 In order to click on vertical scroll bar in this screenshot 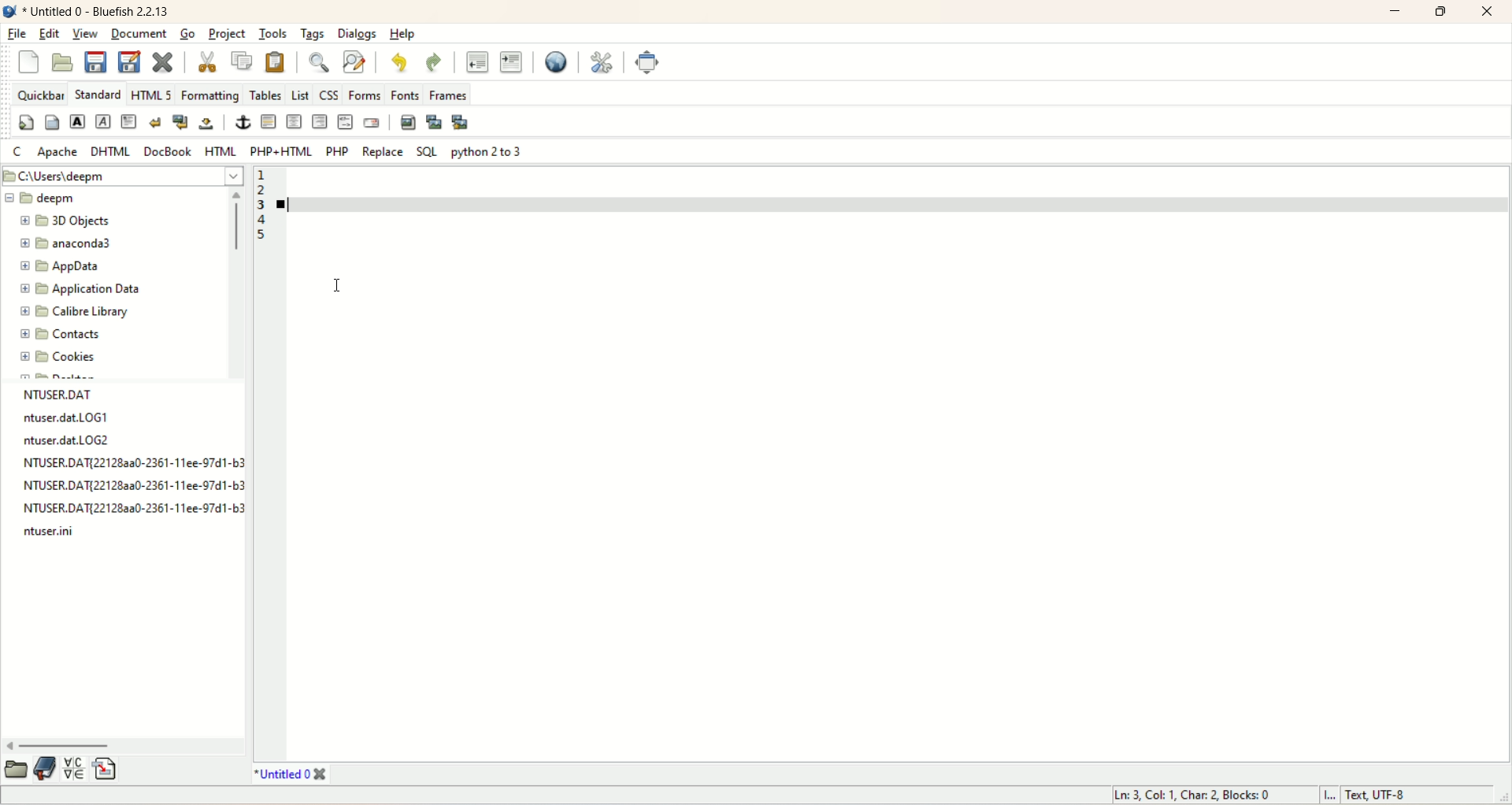, I will do `click(236, 284)`.